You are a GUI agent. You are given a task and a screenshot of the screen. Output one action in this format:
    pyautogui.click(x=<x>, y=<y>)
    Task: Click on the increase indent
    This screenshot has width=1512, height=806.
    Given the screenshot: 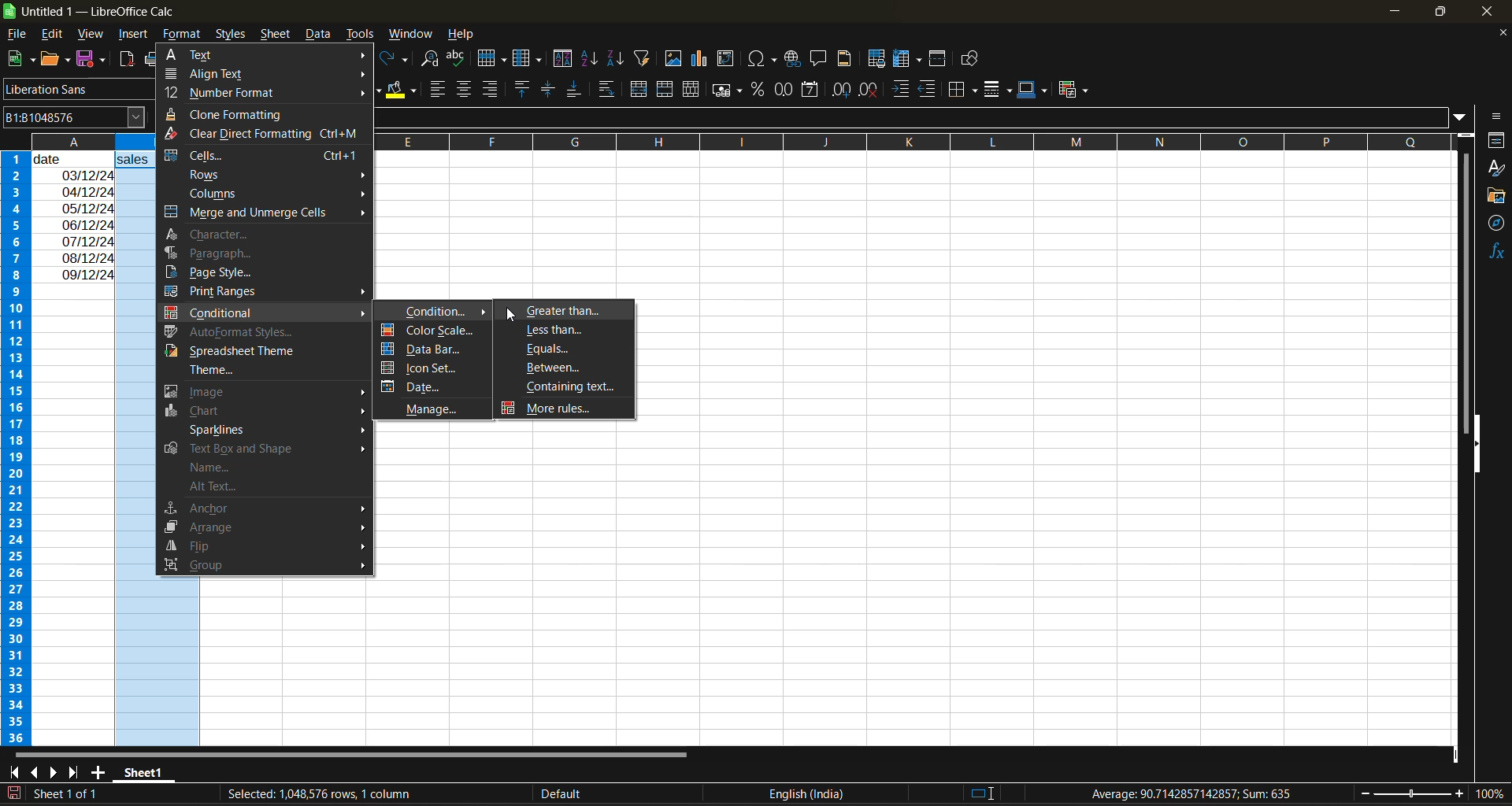 What is the action you would take?
    pyautogui.click(x=901, y=89)
    